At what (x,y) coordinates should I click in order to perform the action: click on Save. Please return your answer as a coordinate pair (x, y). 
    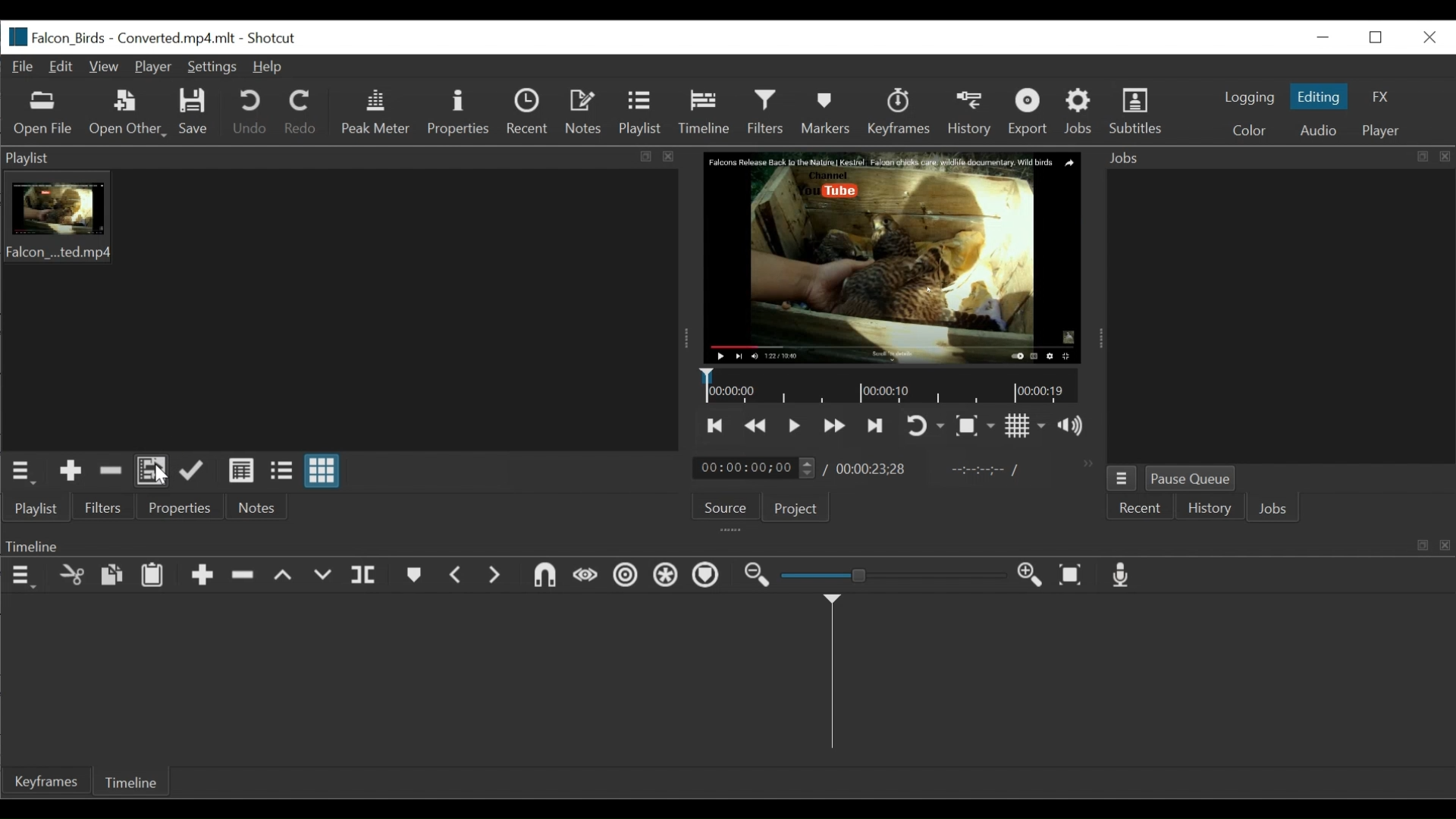
    Looking at the image, I should click on (192, 114).